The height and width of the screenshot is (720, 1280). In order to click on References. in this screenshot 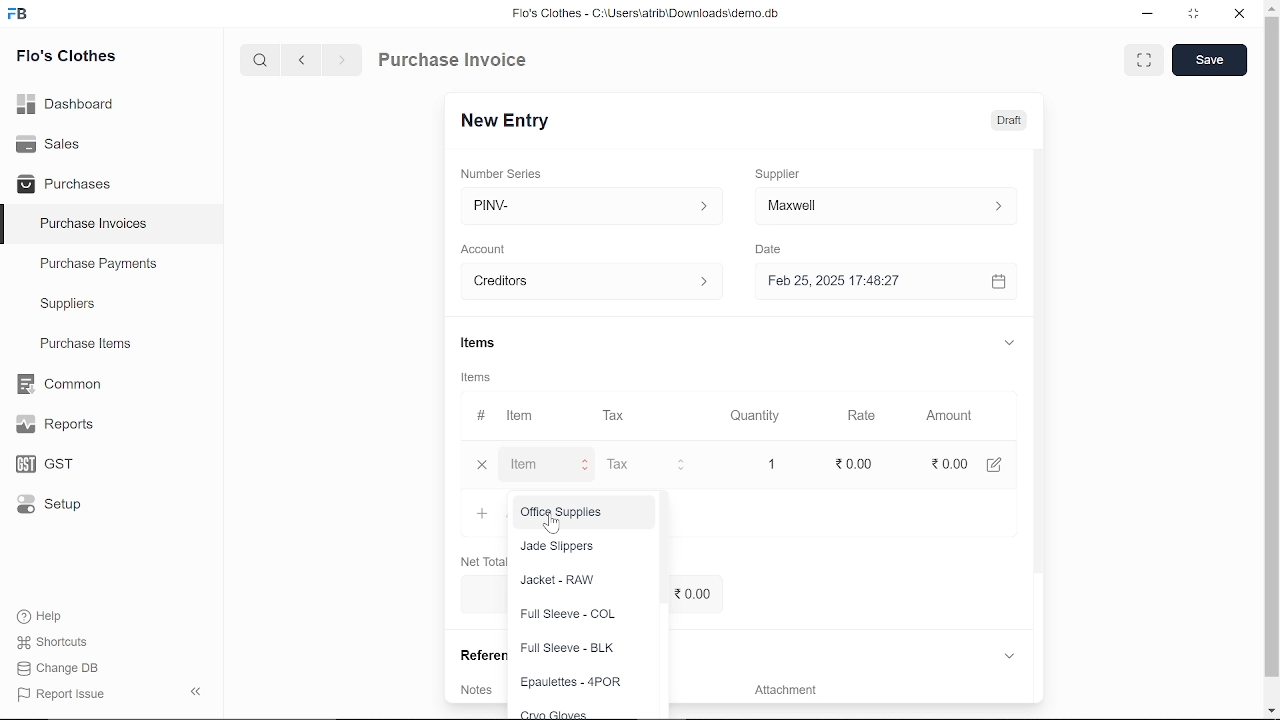, I will do `click(477, 654)`.